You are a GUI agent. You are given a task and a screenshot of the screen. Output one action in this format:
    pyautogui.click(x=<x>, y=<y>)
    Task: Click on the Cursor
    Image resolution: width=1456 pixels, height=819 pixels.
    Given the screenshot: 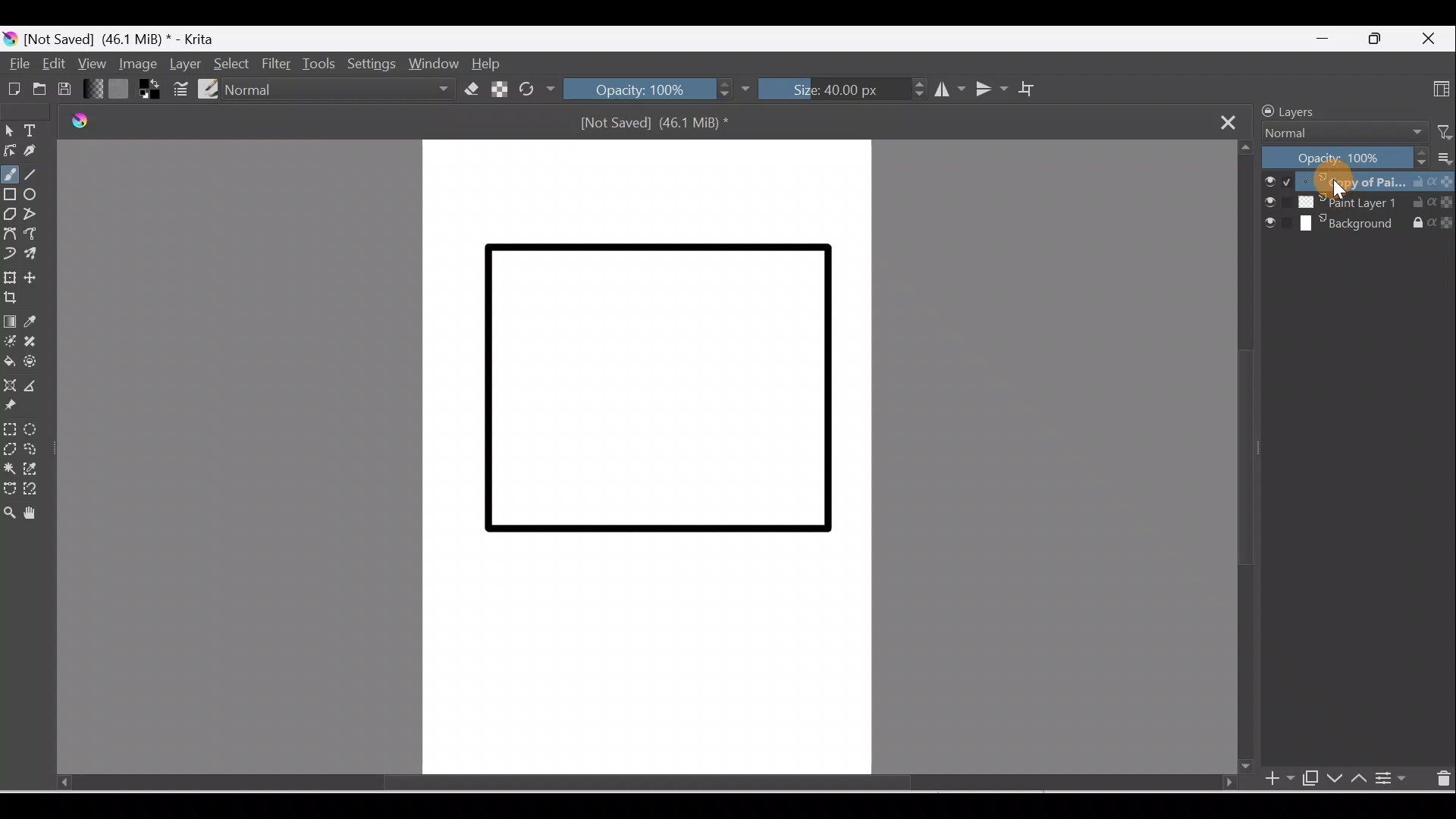 What is the action you would take?
    pyautogui.click(x=1338, y=181)
    